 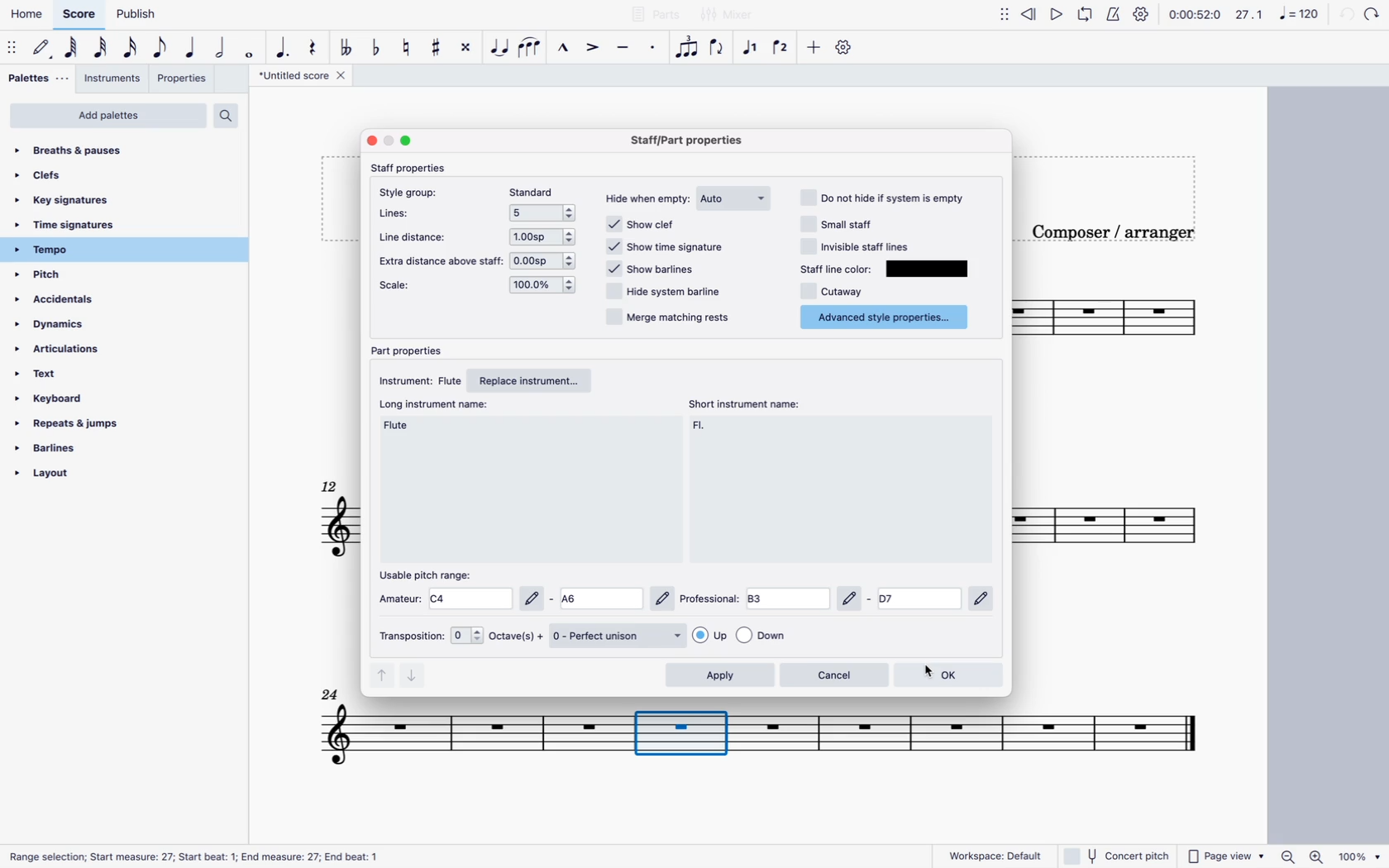 I want to click on properties, so click(x=187, y=81).